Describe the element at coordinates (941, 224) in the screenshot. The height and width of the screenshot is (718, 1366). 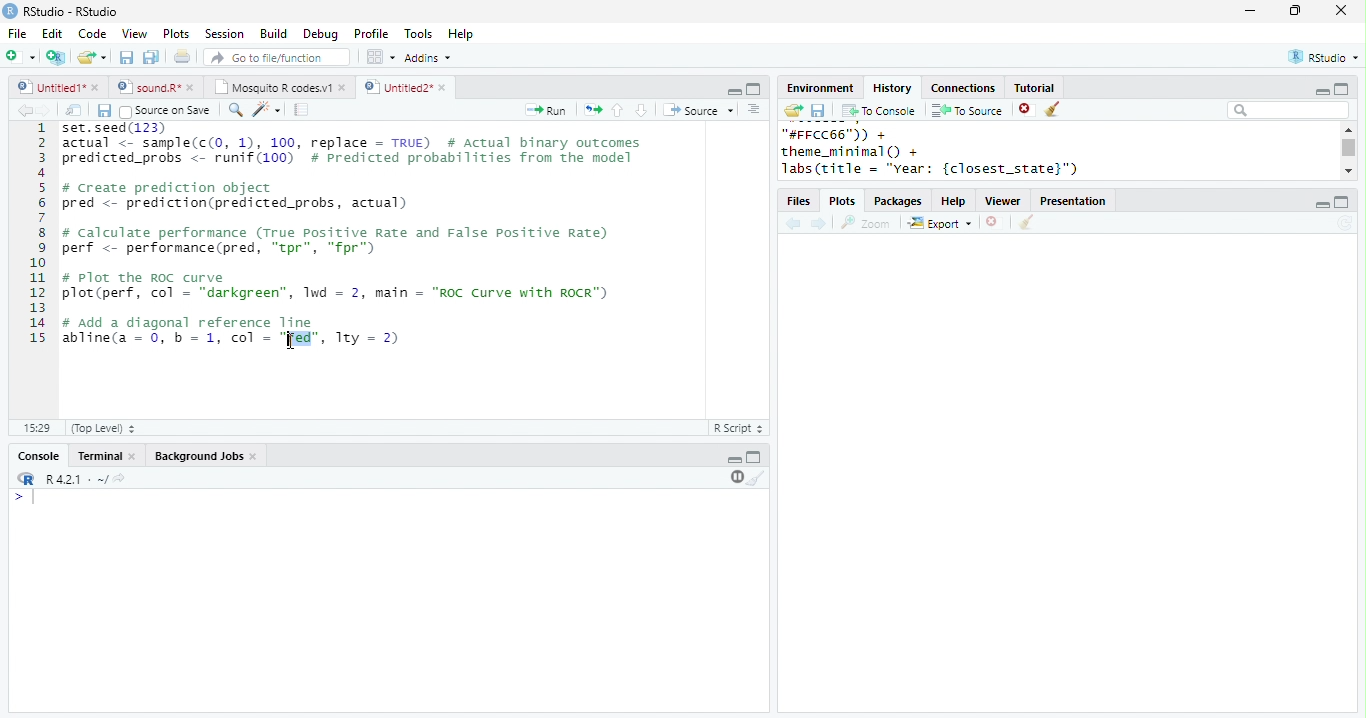
I see `Export` at that location.